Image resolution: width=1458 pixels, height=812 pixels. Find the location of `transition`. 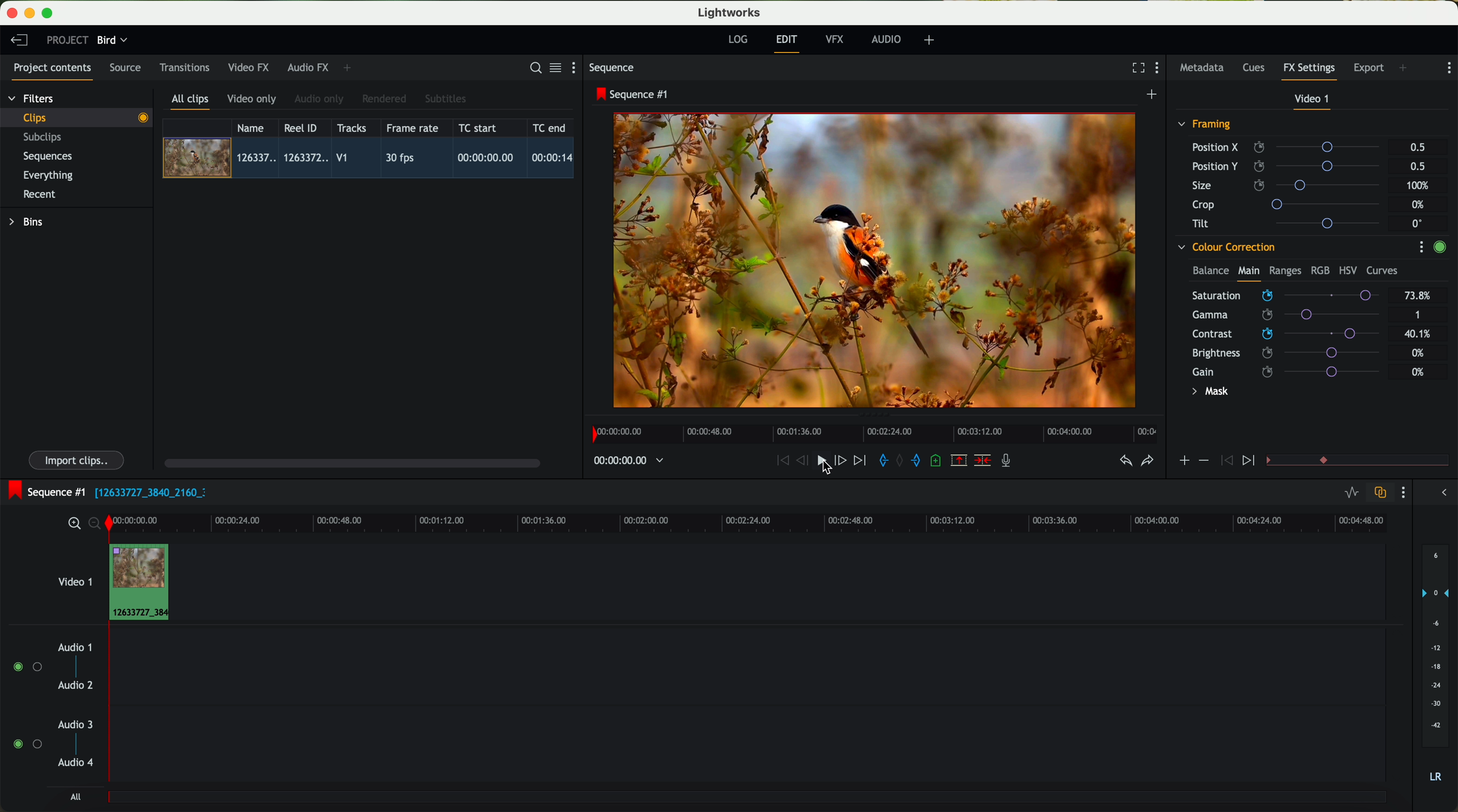

transition is located at coordinates (1374, 461).